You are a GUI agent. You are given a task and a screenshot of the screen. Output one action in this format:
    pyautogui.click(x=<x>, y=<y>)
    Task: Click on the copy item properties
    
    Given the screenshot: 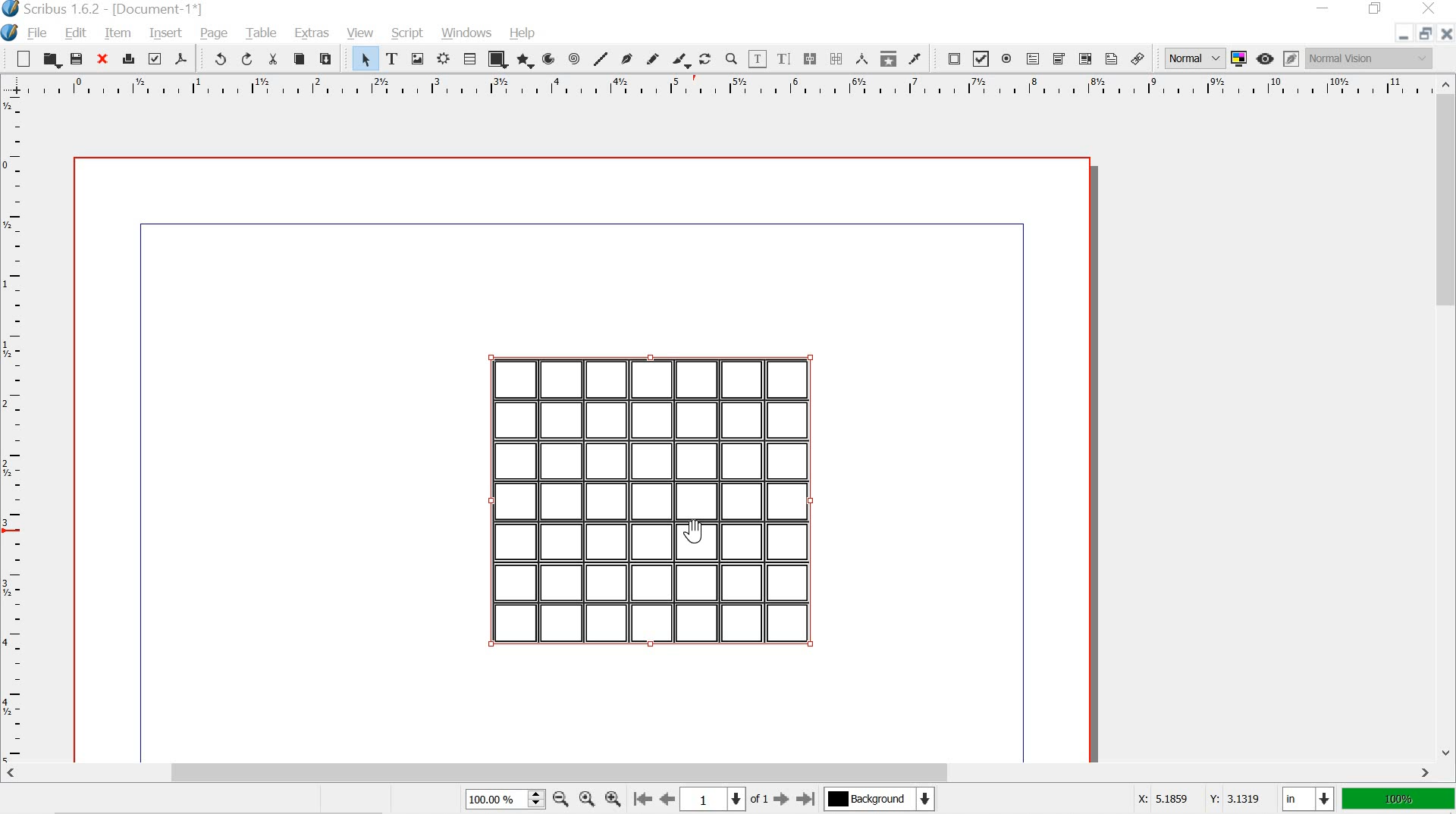 What is the action you would take?
    pyautogui.click(x=886, y=58)
    